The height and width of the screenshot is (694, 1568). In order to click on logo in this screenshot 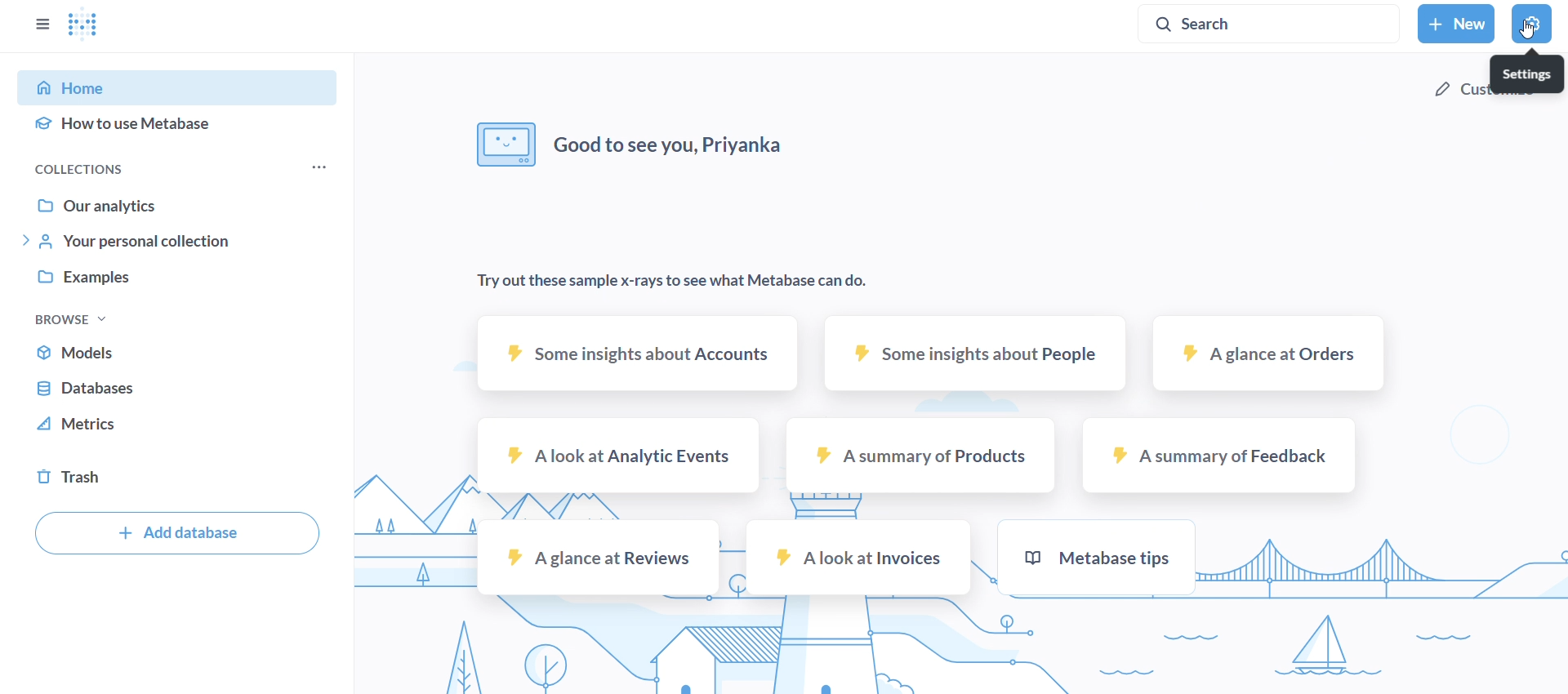, I will do `click(100, 29)`.